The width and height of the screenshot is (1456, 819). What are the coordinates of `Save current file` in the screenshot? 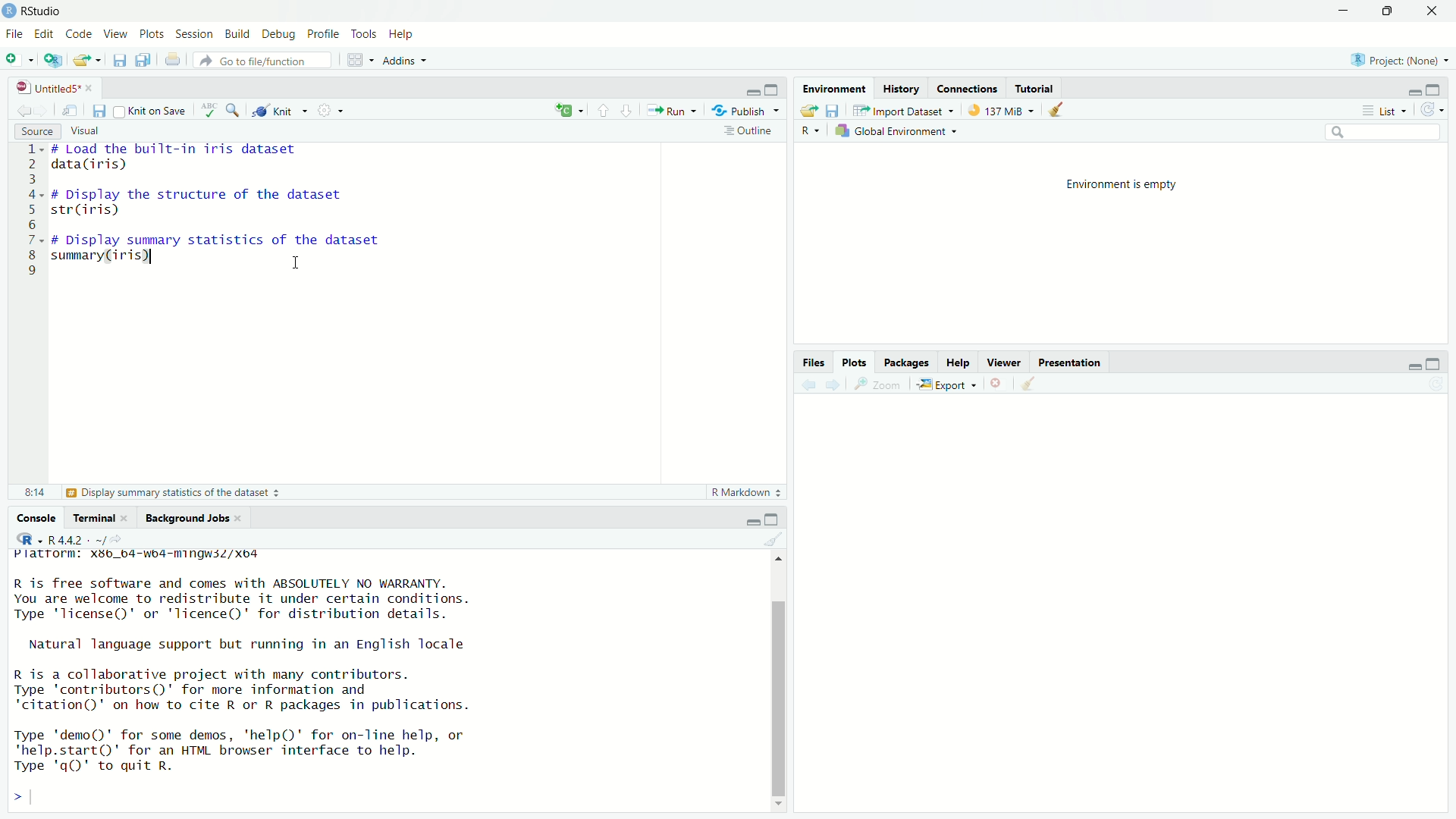 It's located at (119, 61).